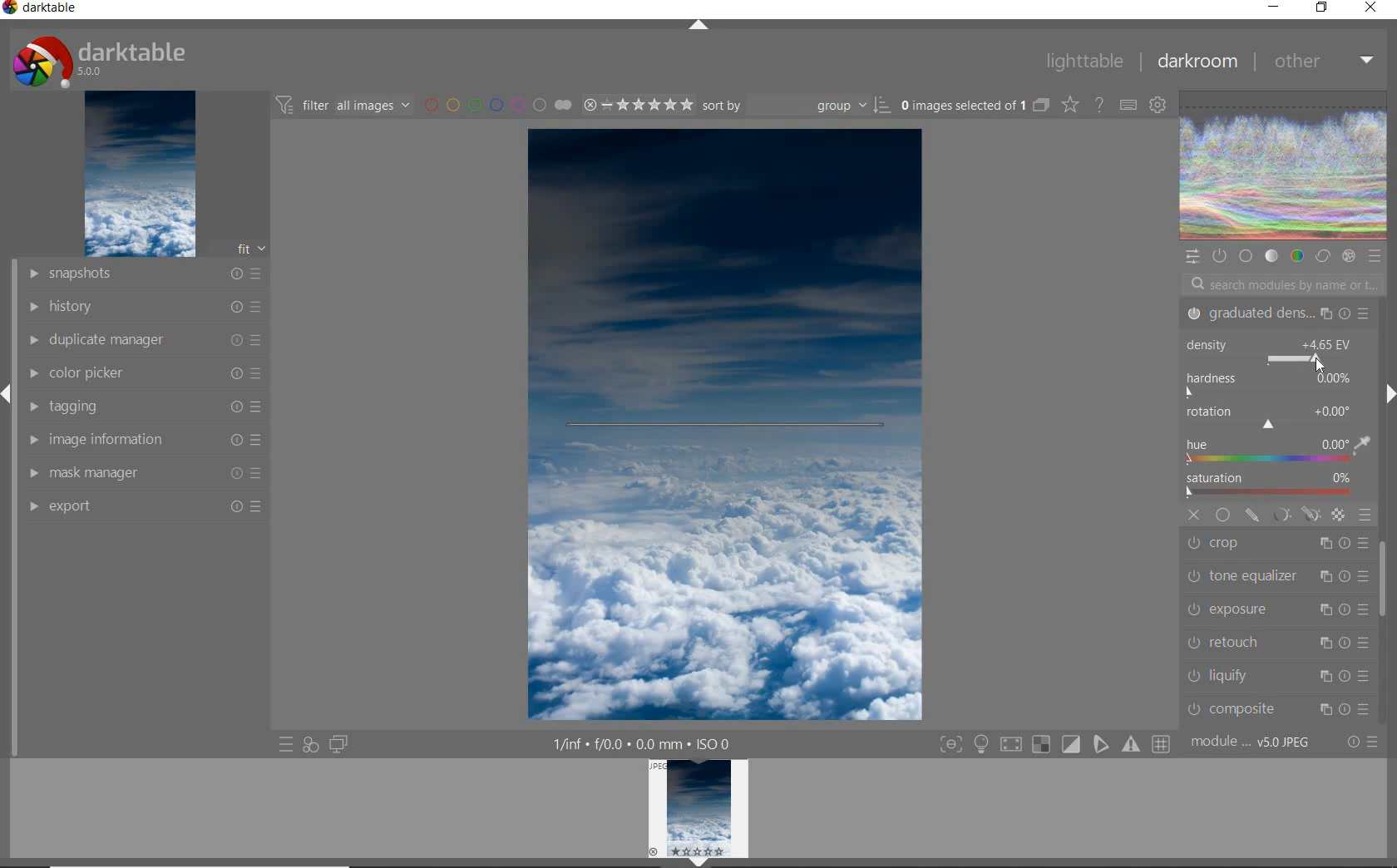 Image resolution: width=1397 pixels, height=868 pixels. What do you see at coordinates (1375, 256) in the screenshot?
I see `PRESET` at bounding box center [1375, 256].